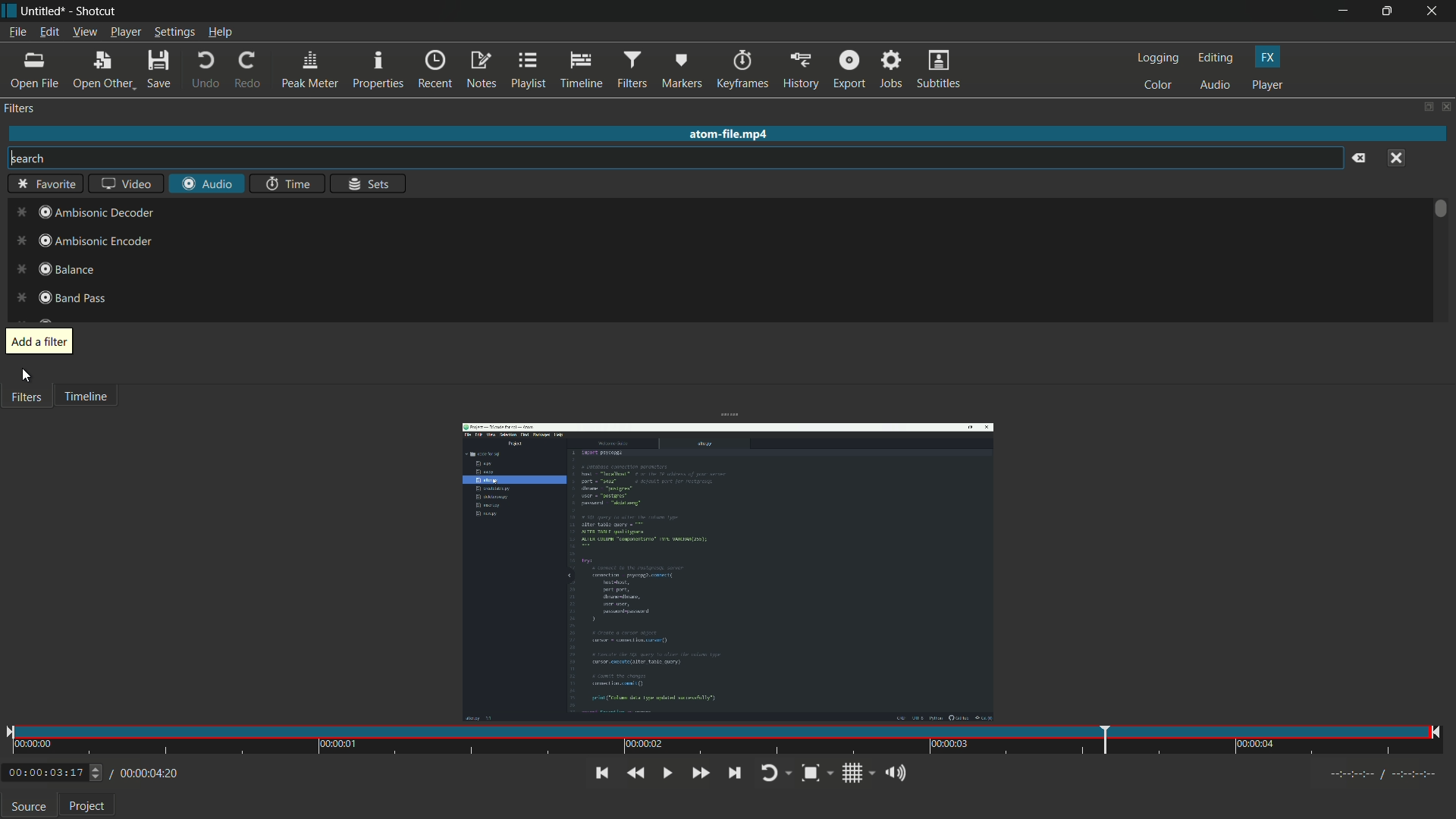 The image size is (1456, 819). I want to click on open other, so click(104, 68).